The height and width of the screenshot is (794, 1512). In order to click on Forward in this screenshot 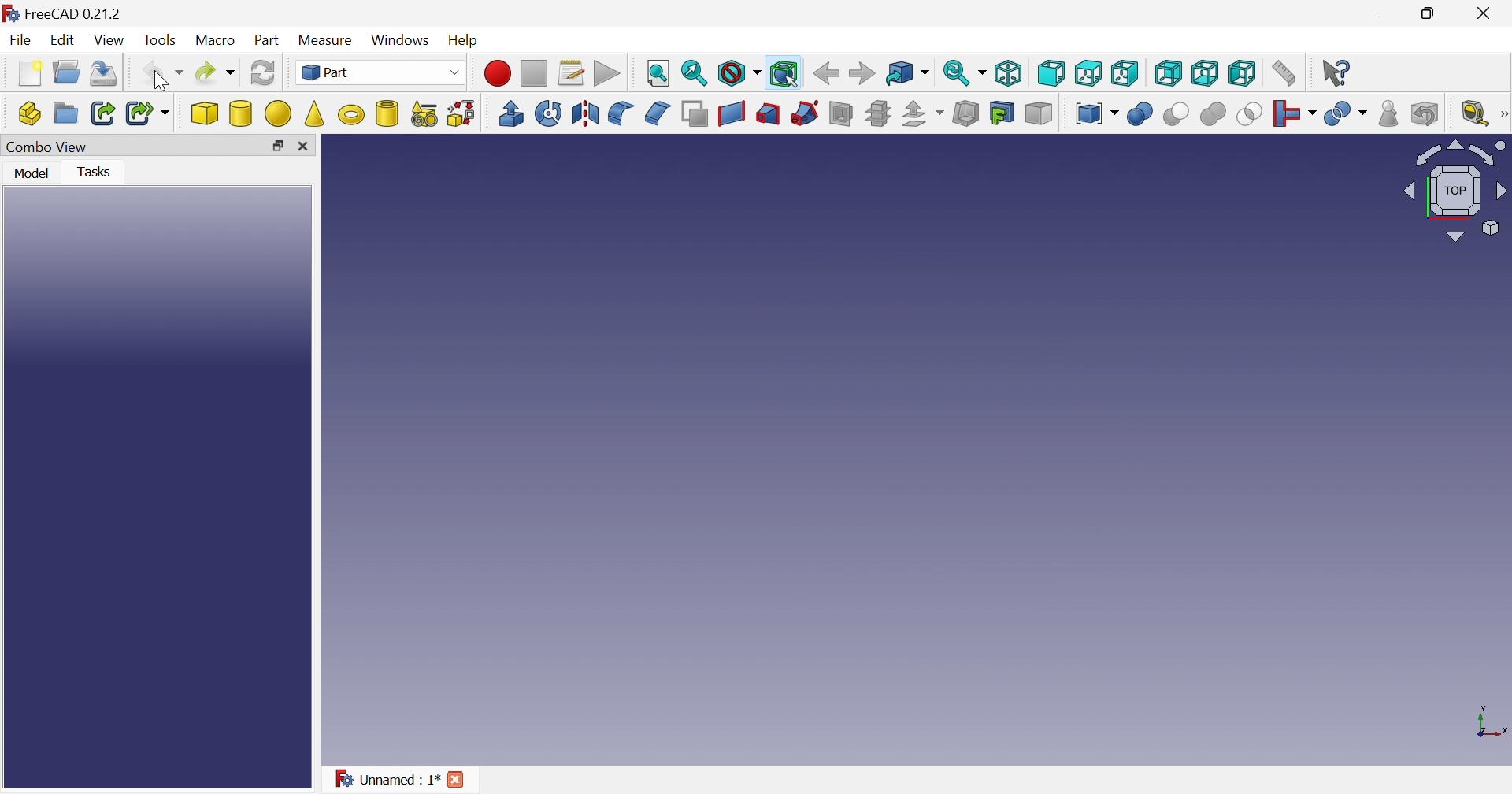, I will do `click(862, 72)`.